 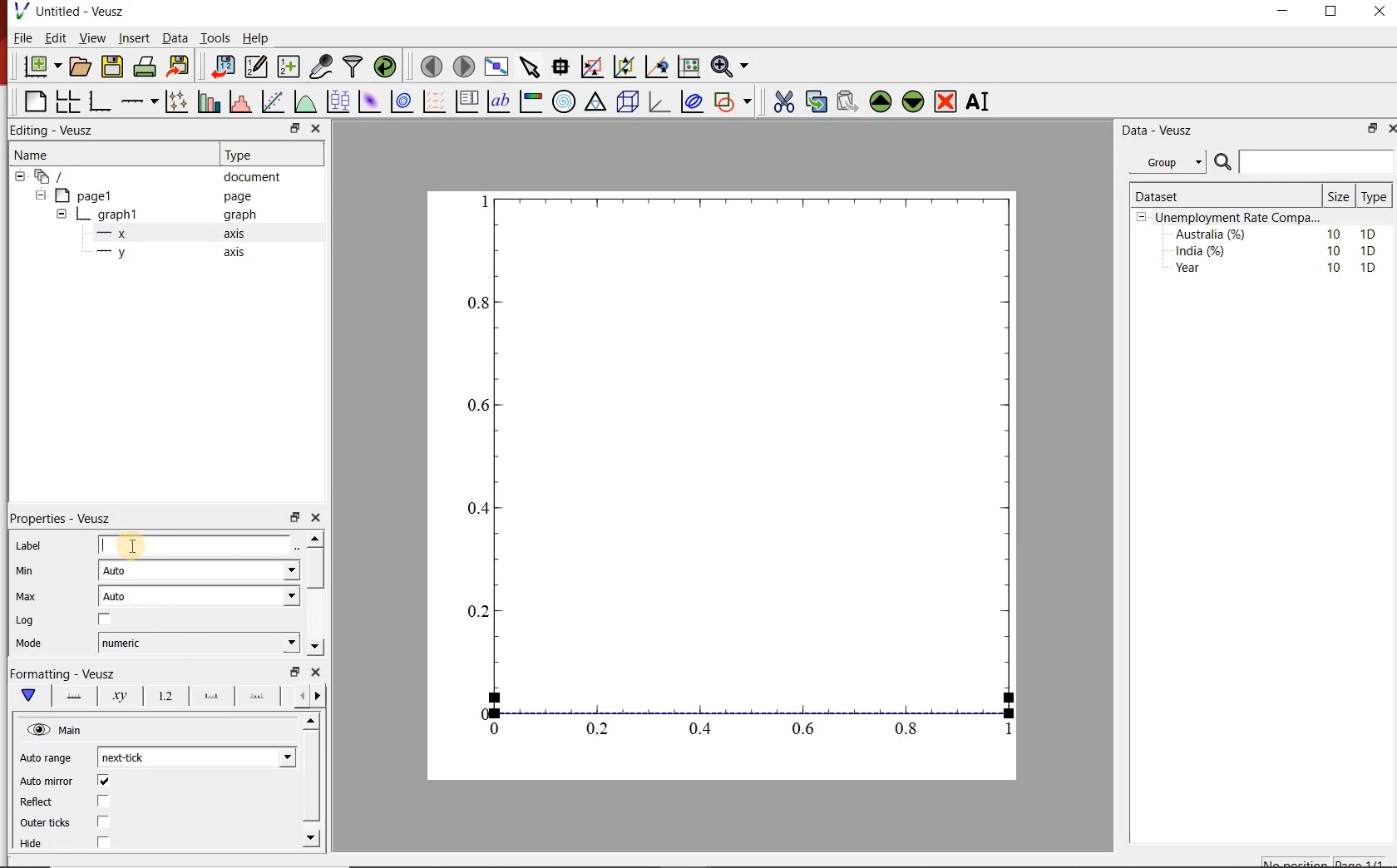 What do you see at coordinates (172, 215) in the screenshot?
I see `graph1
pl graph` at bounding box center [172, 215].